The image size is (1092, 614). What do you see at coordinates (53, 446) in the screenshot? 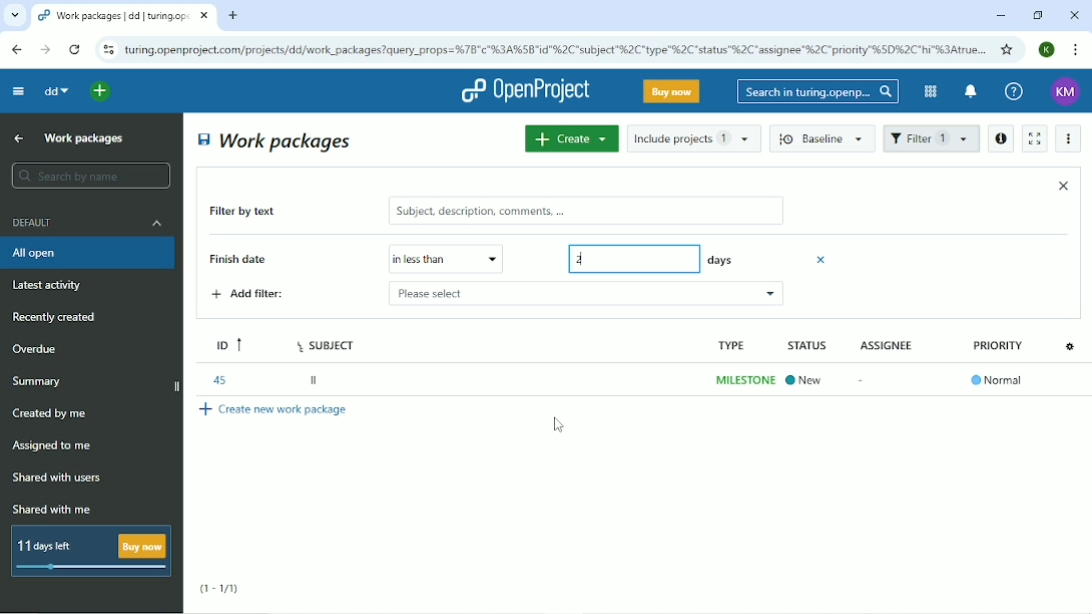
I see `Assigned to me` at bounding box center [53, 446].